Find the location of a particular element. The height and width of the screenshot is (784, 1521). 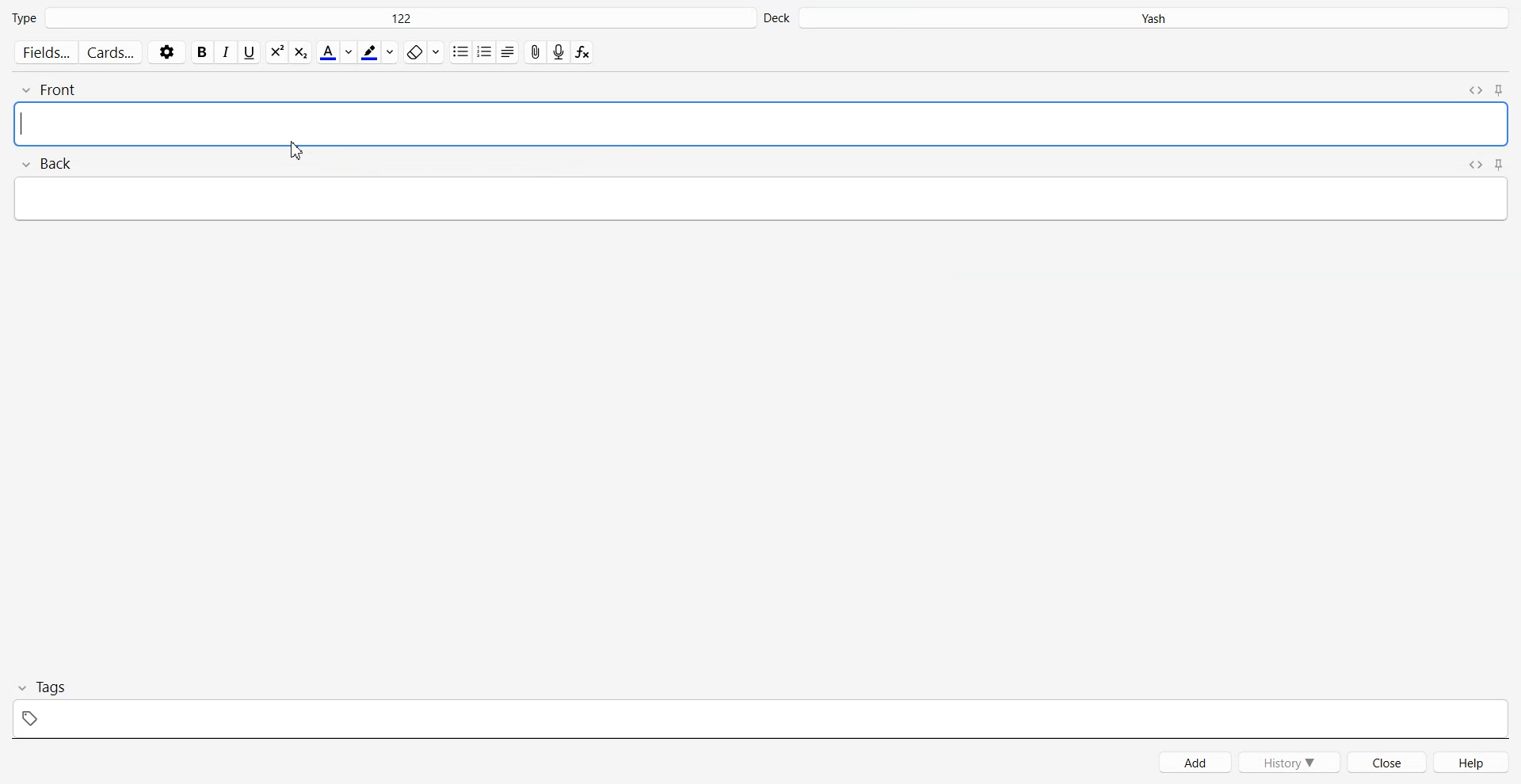

Tag is located at coordinates (760, 705).